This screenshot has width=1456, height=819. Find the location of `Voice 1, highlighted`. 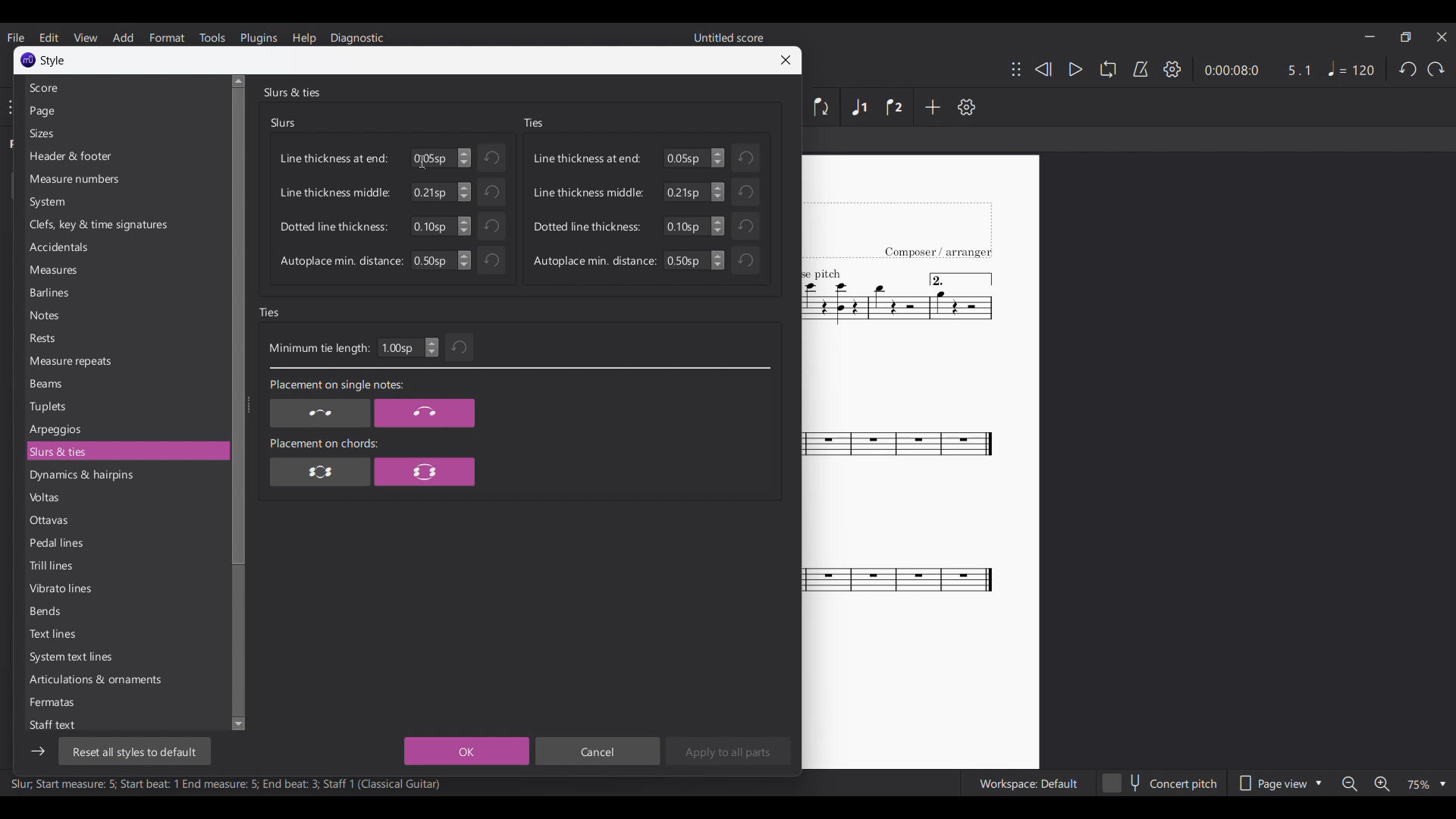

Voice 1, highlighted is located at coordinates (860, 108).